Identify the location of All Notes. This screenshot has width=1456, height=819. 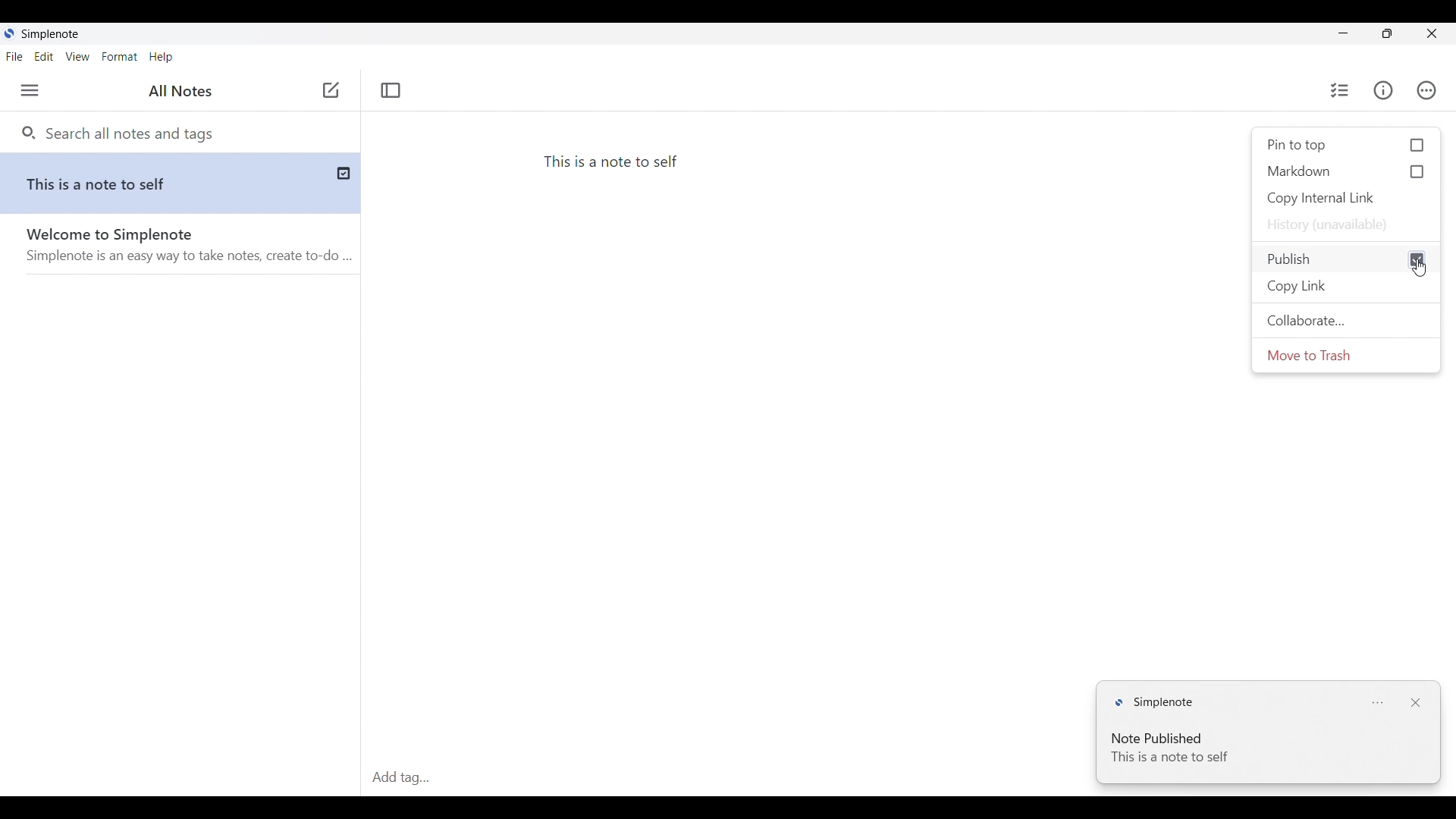
(177, 92).